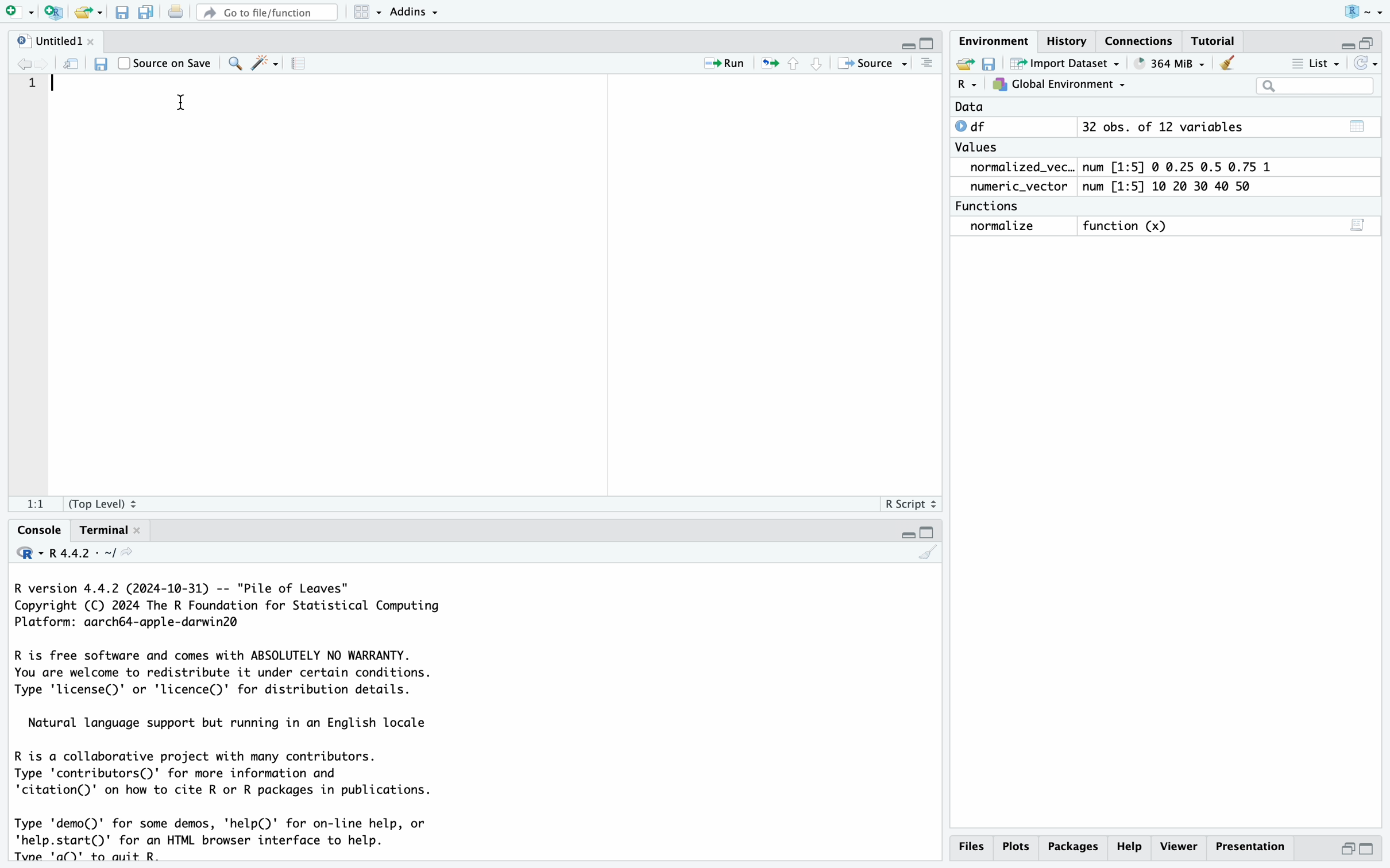  Describe the element at coordinates (918, 42) in the screenshot. I see `Fullscreen` at that location.